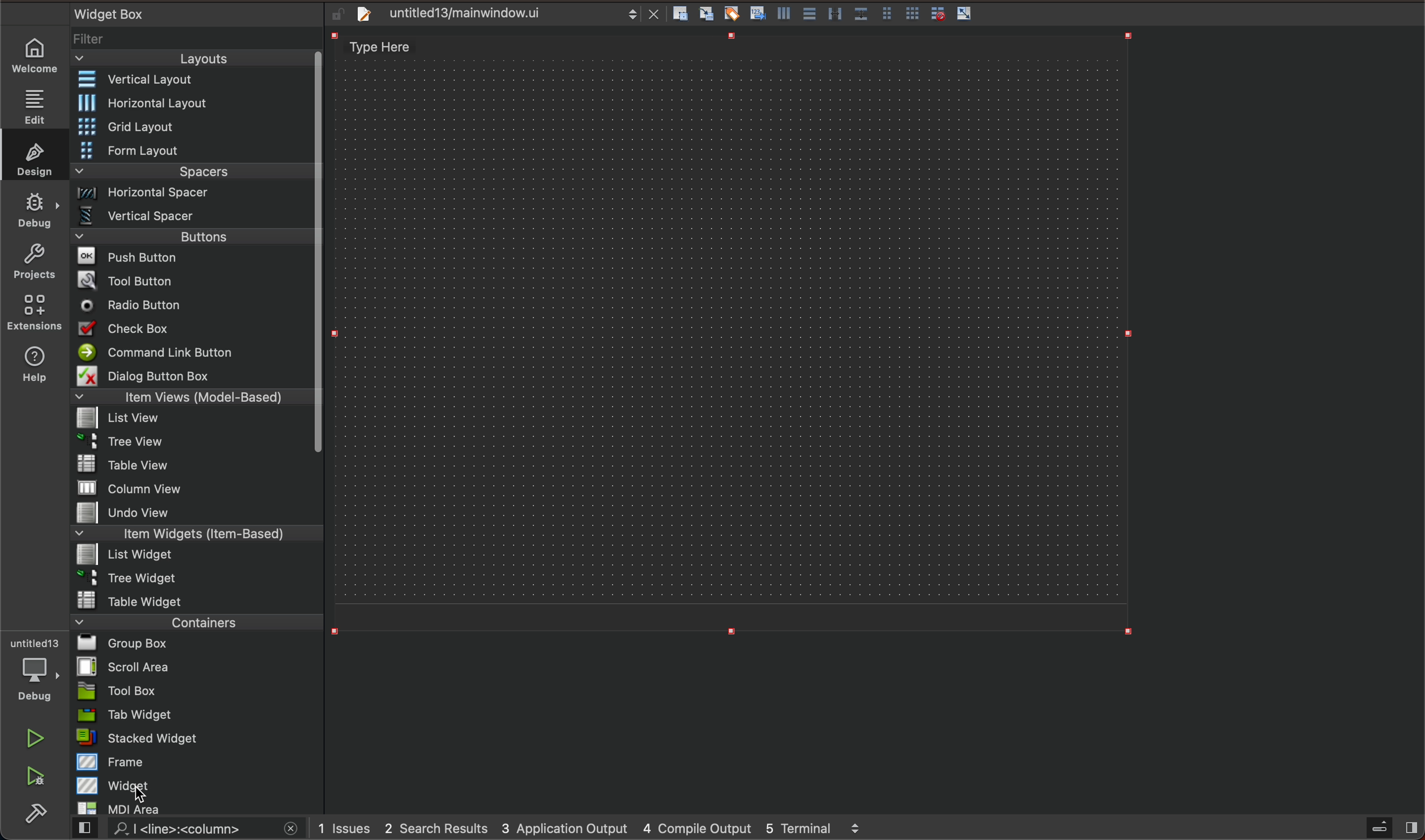 The height and width of the screenshot is (840, 1425). I want to click on close sidebar, so click(1390, 828).